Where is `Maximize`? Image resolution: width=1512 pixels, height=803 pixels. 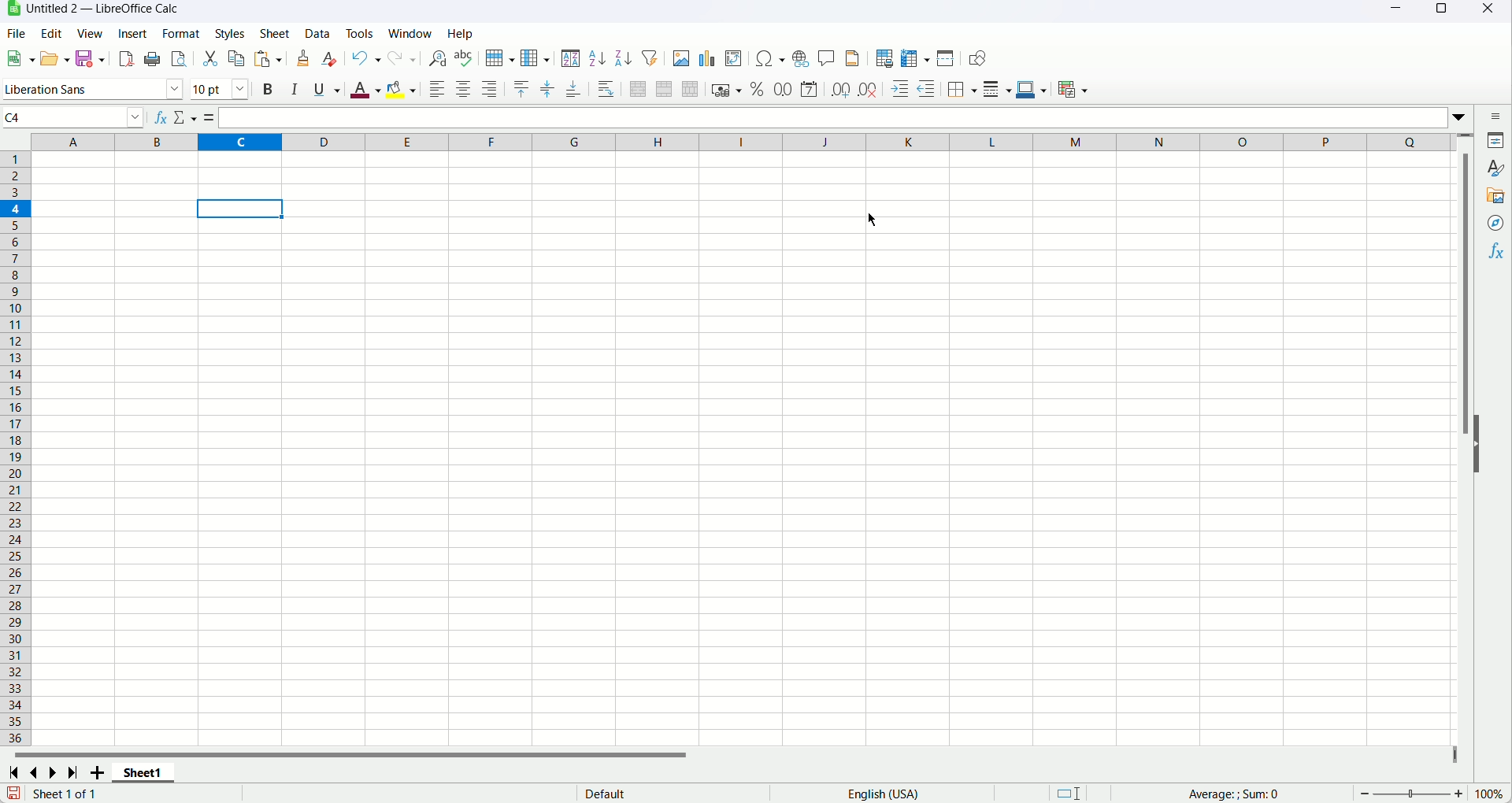 Maximize is located at coordinates (1440, 12).